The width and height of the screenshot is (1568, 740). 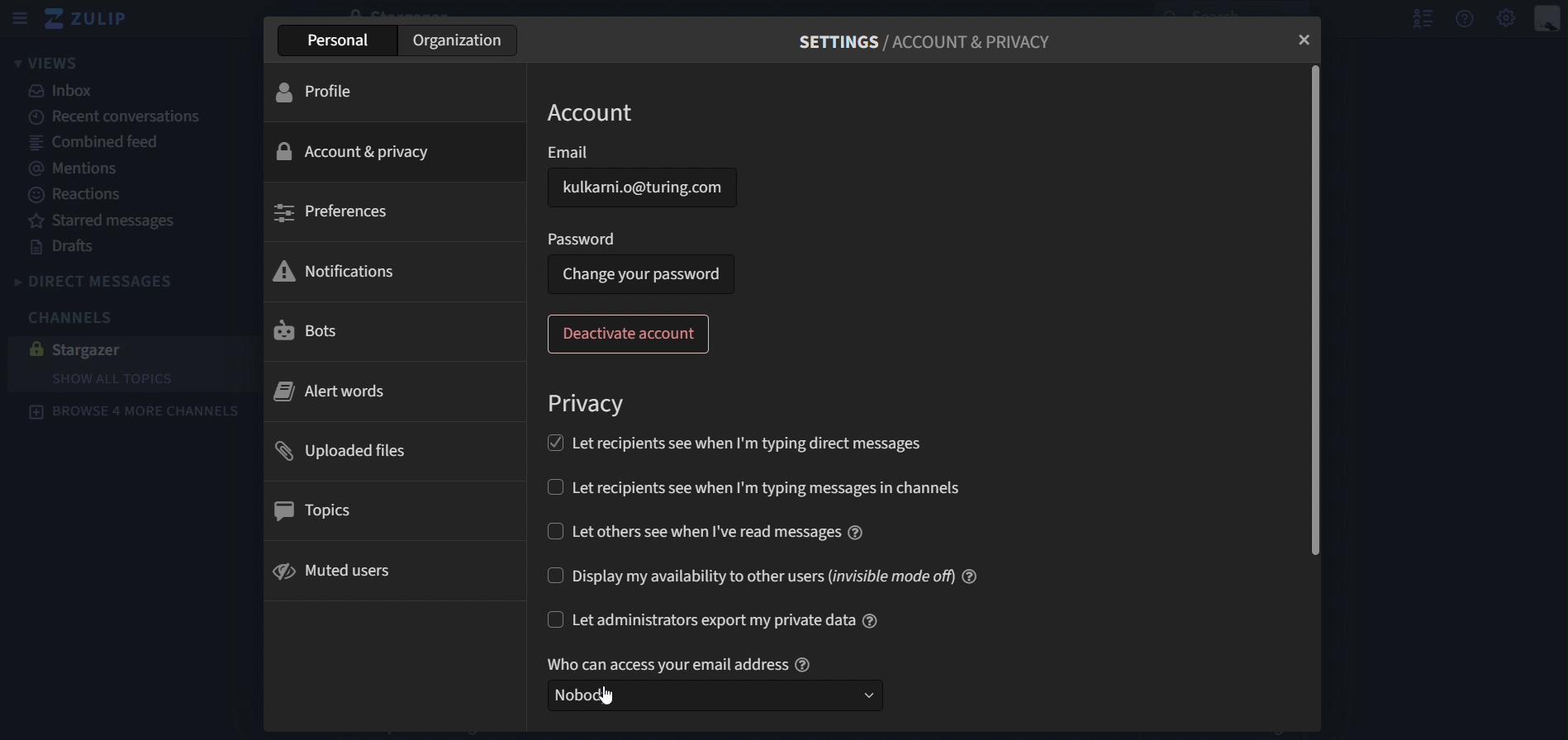 What do you see at coordinates (118, 280) in the screenshot?
I see `direct messages` at bounding box center [118, 280].